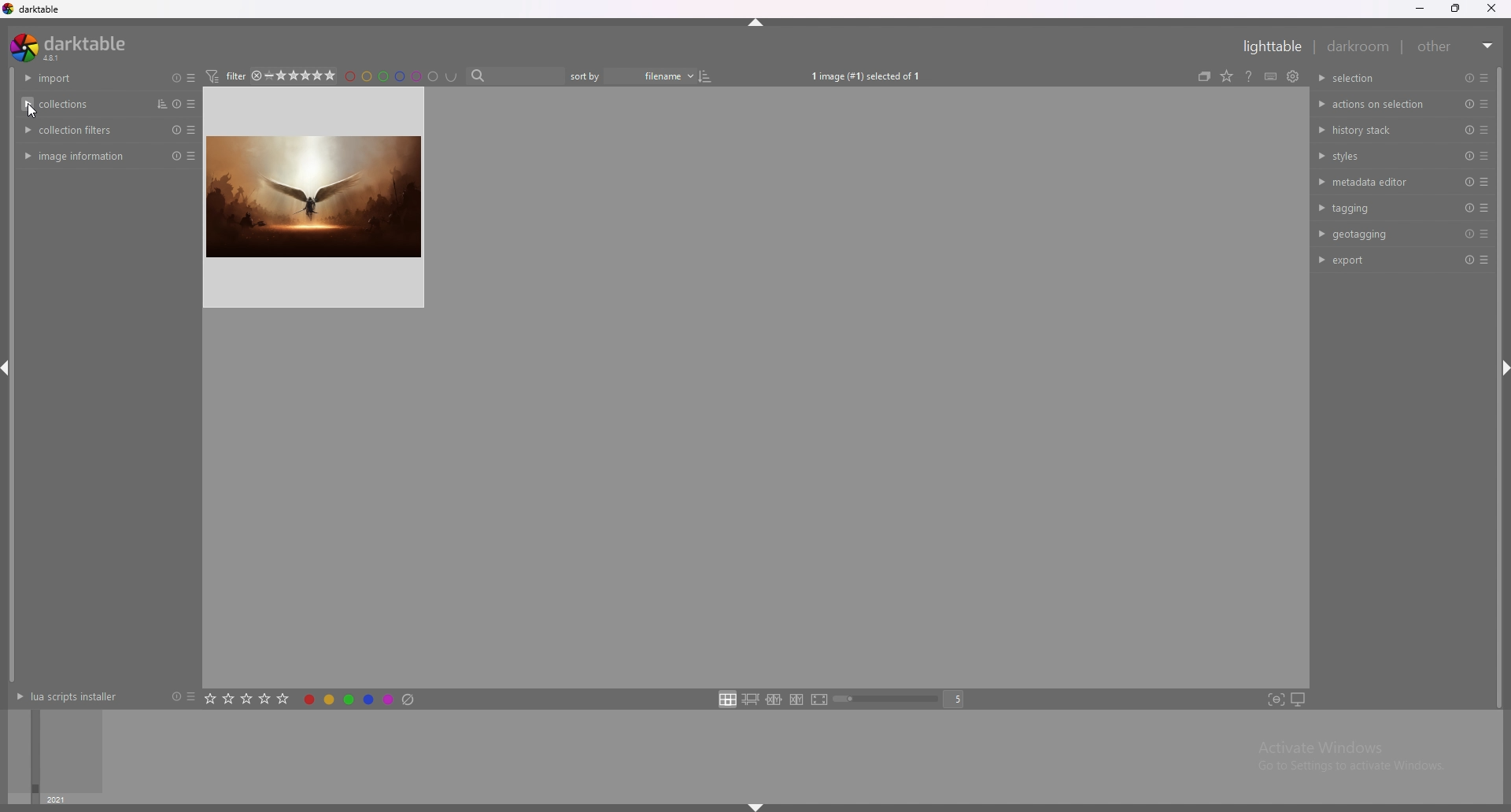 This screenshot has width=1511, height=812. Describe the element at coordinates (755, 25) in the screenshot. I see `hide` at that location.